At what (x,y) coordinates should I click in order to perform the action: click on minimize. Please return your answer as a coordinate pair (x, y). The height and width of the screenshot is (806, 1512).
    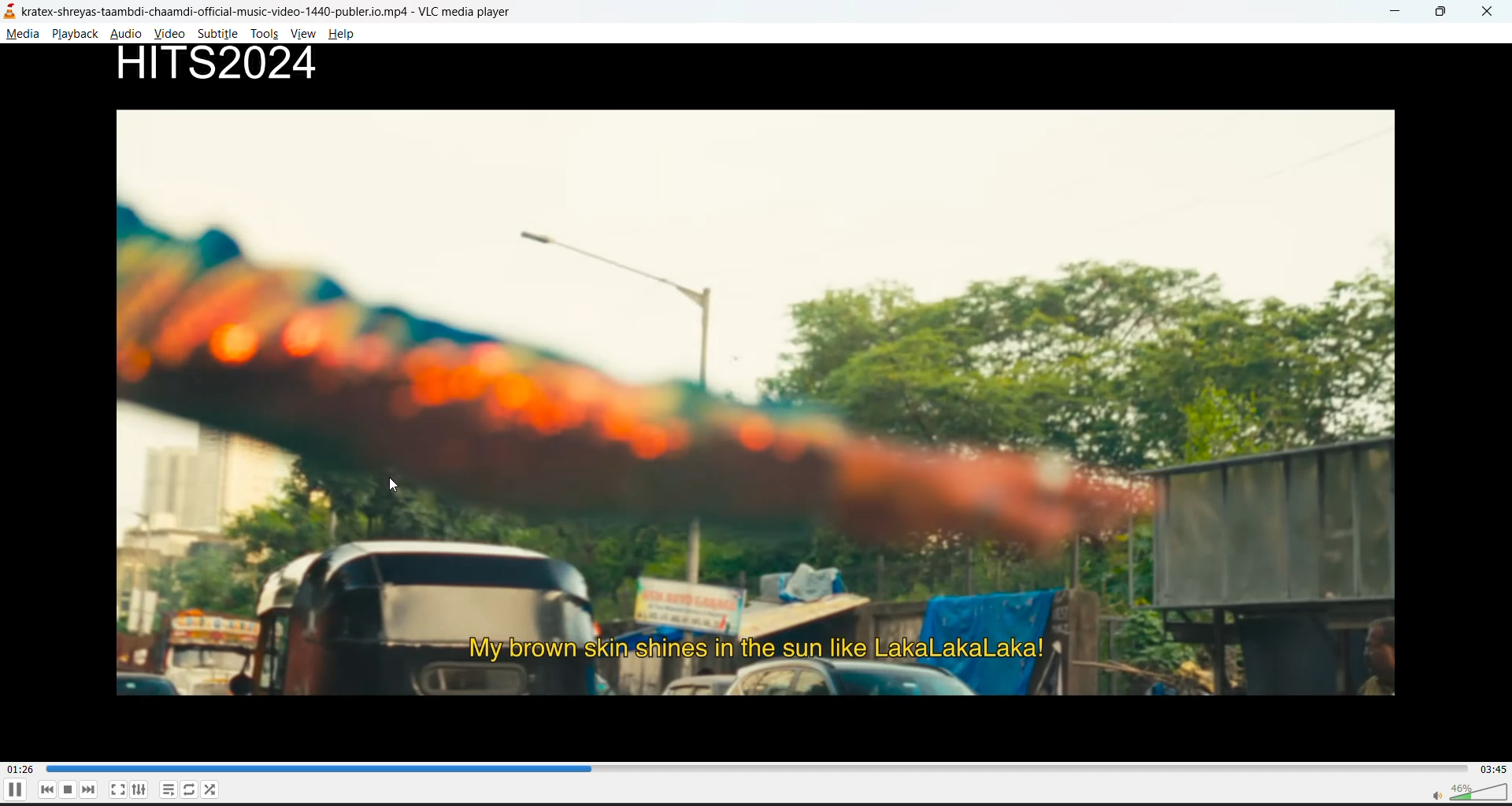
    Looking at the image, I should click on (1397, 11).